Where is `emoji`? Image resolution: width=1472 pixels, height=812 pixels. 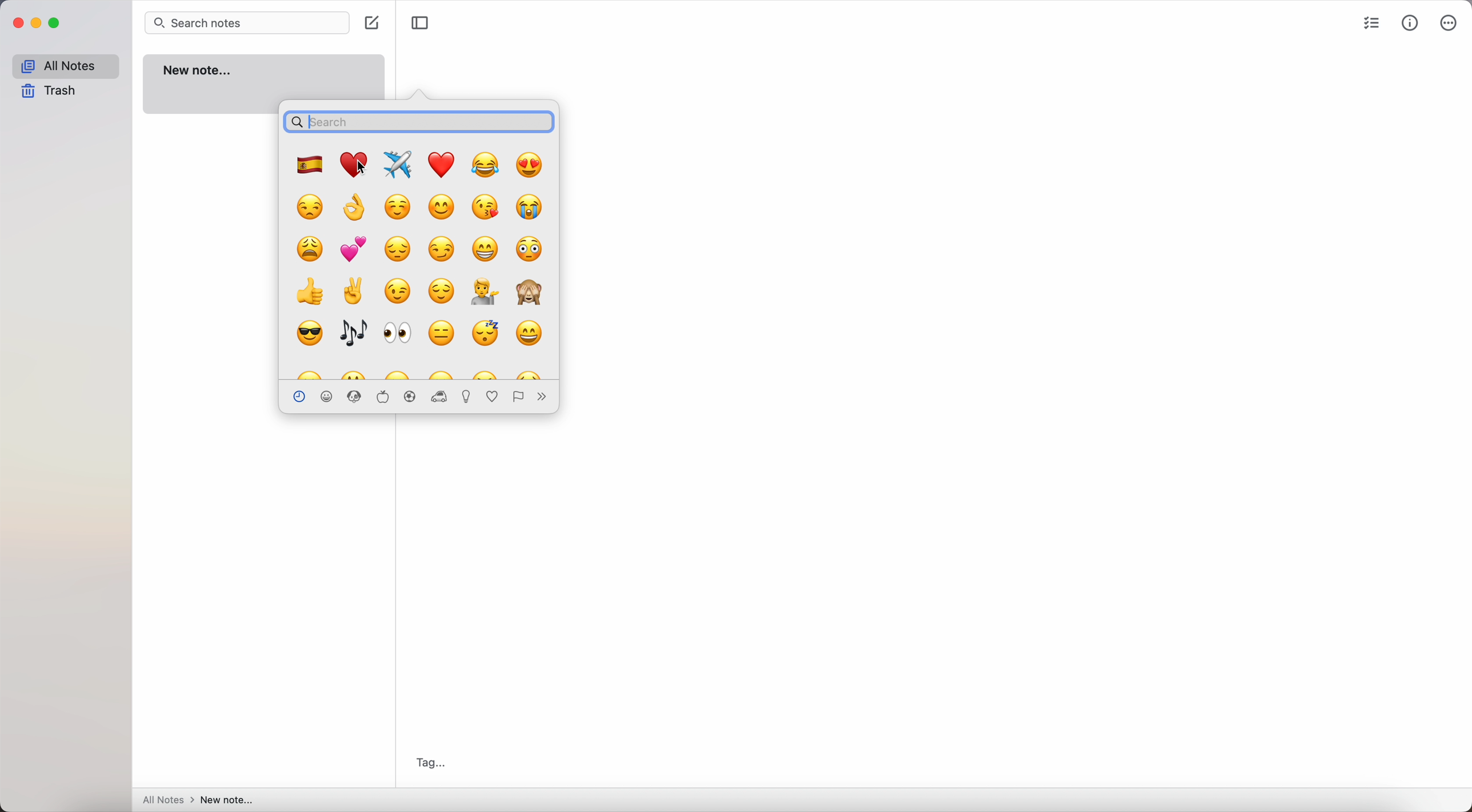
emoji is located at coordinates (531, 207).